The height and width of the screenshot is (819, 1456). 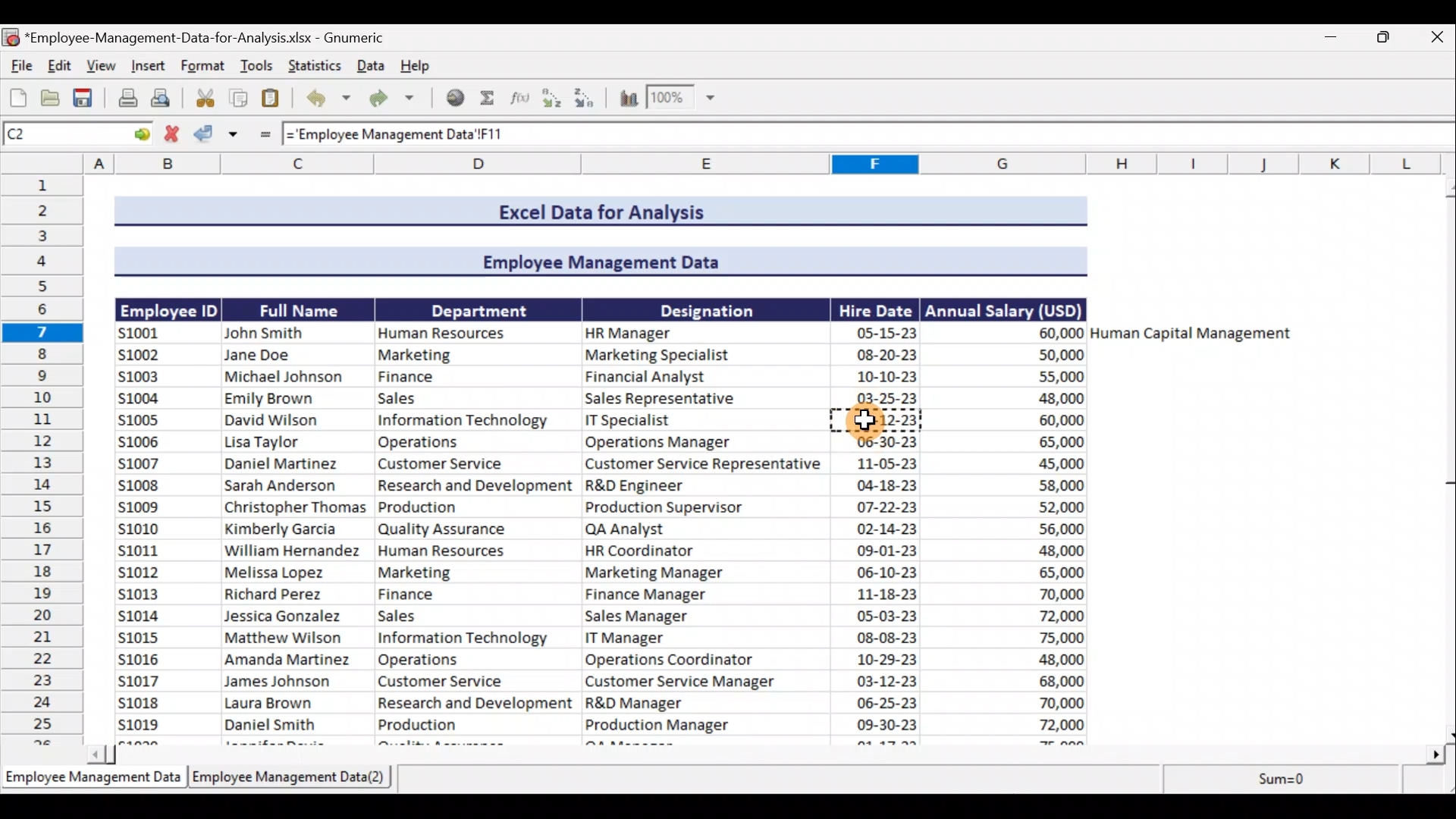 What do you see at coordinates (867, 419) in the screenshot?
I see `Cursor` at bounding box center [867, 419].